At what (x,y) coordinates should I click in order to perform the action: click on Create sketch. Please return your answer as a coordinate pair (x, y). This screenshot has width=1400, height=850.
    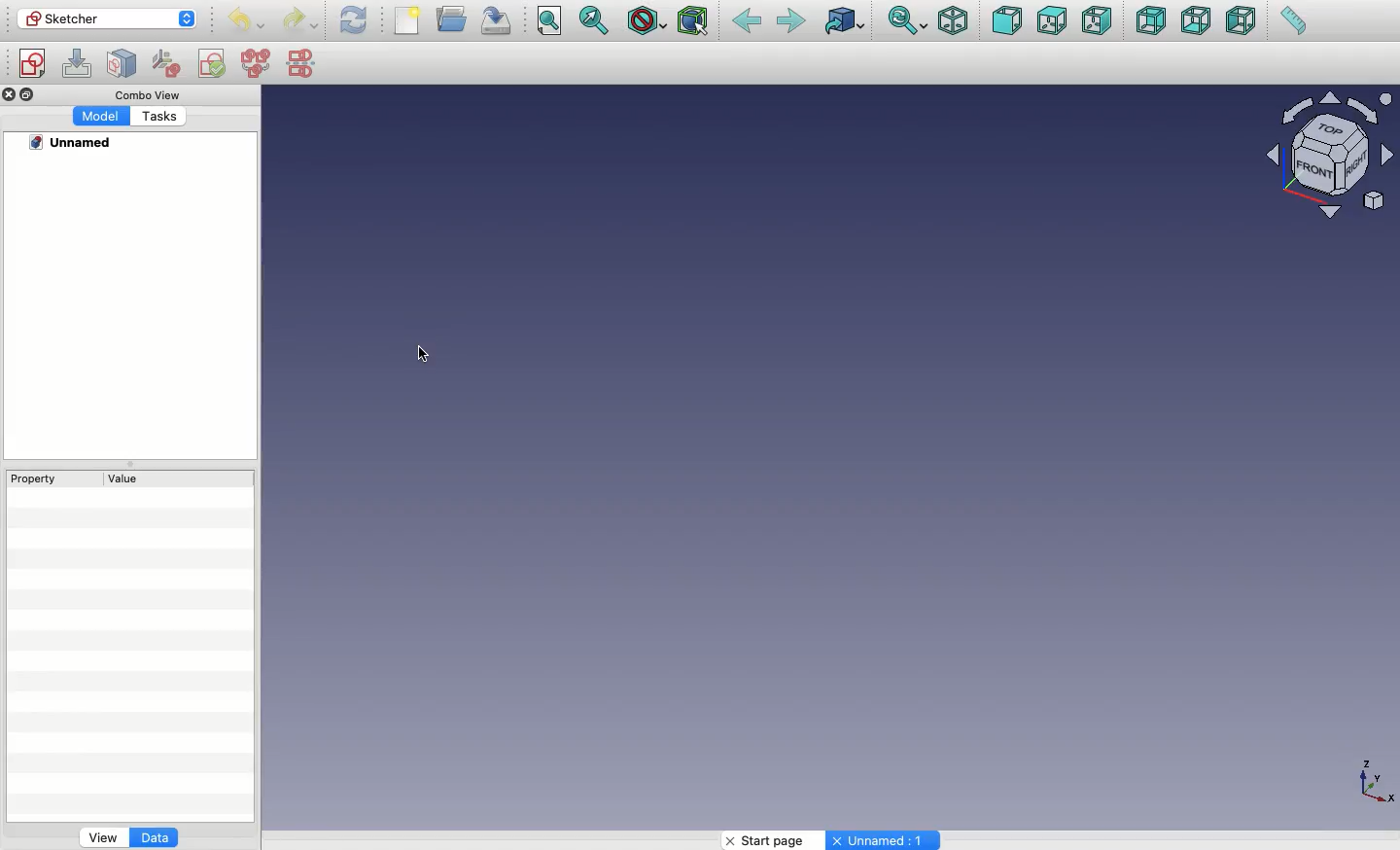
    Looking at the image, I should click on (32, 64).